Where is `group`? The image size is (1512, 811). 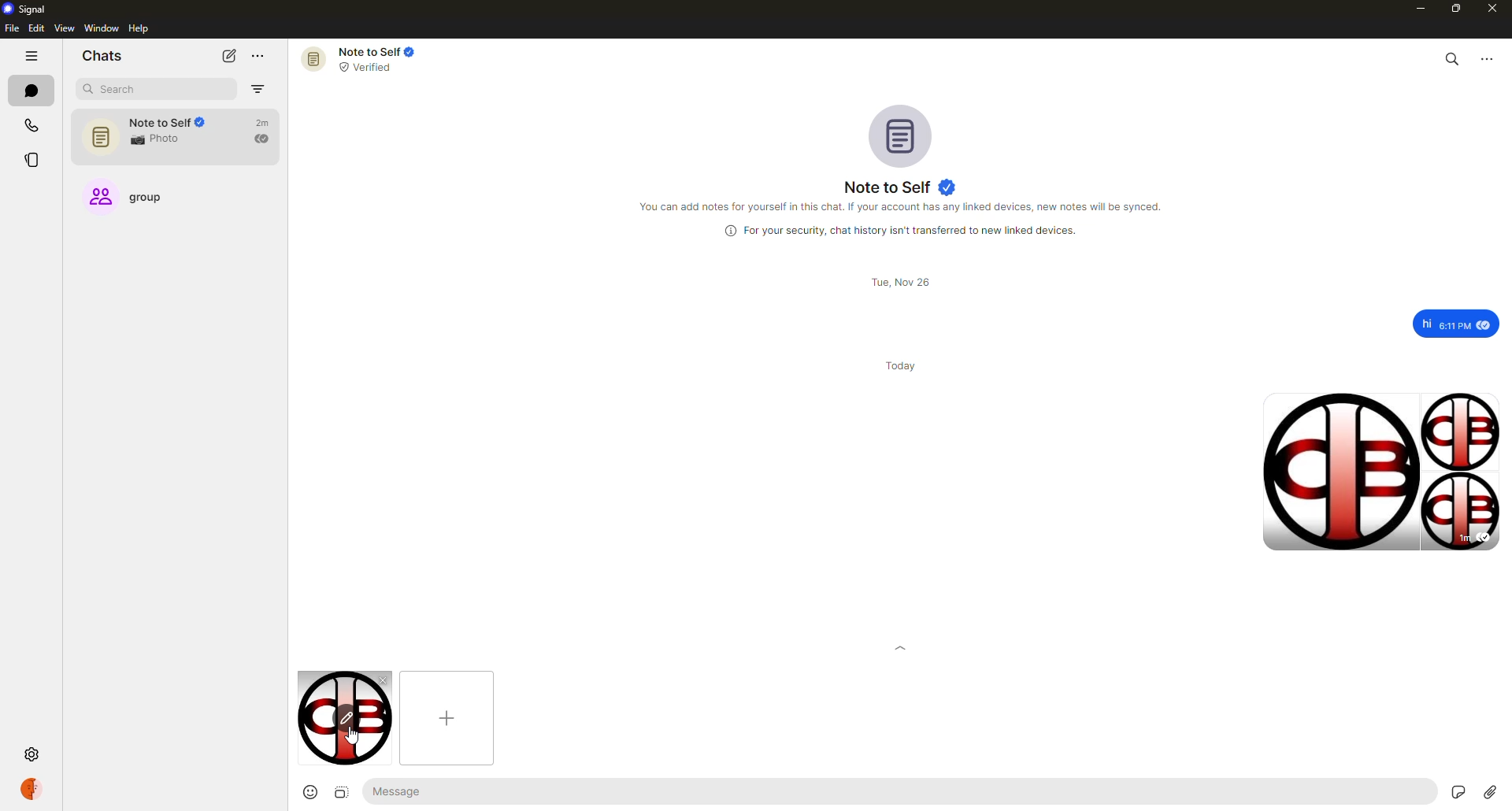 group is located at coordinates (139, 200).